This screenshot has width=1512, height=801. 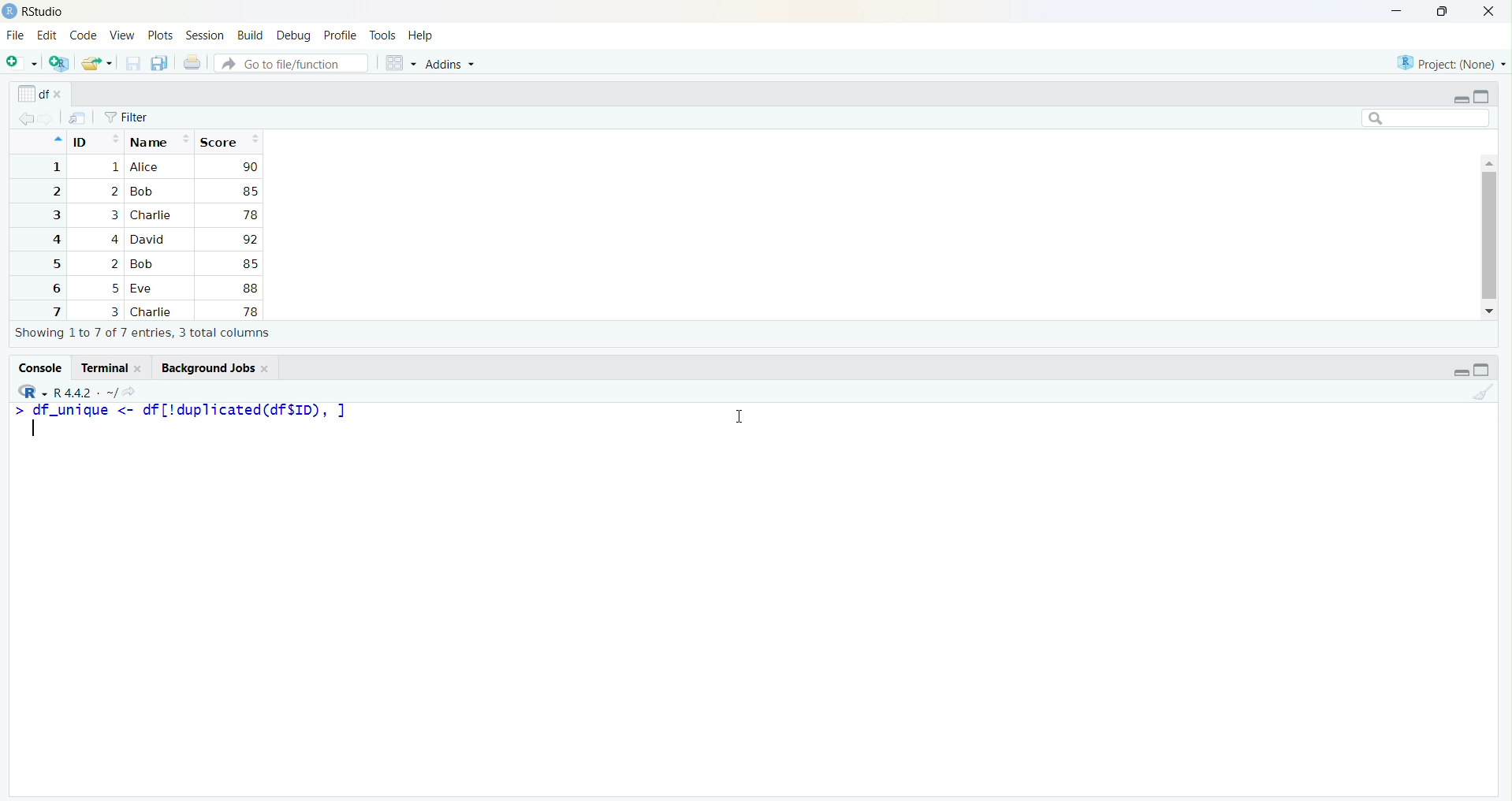 I want to click on 1, so click(x=114, y=168).